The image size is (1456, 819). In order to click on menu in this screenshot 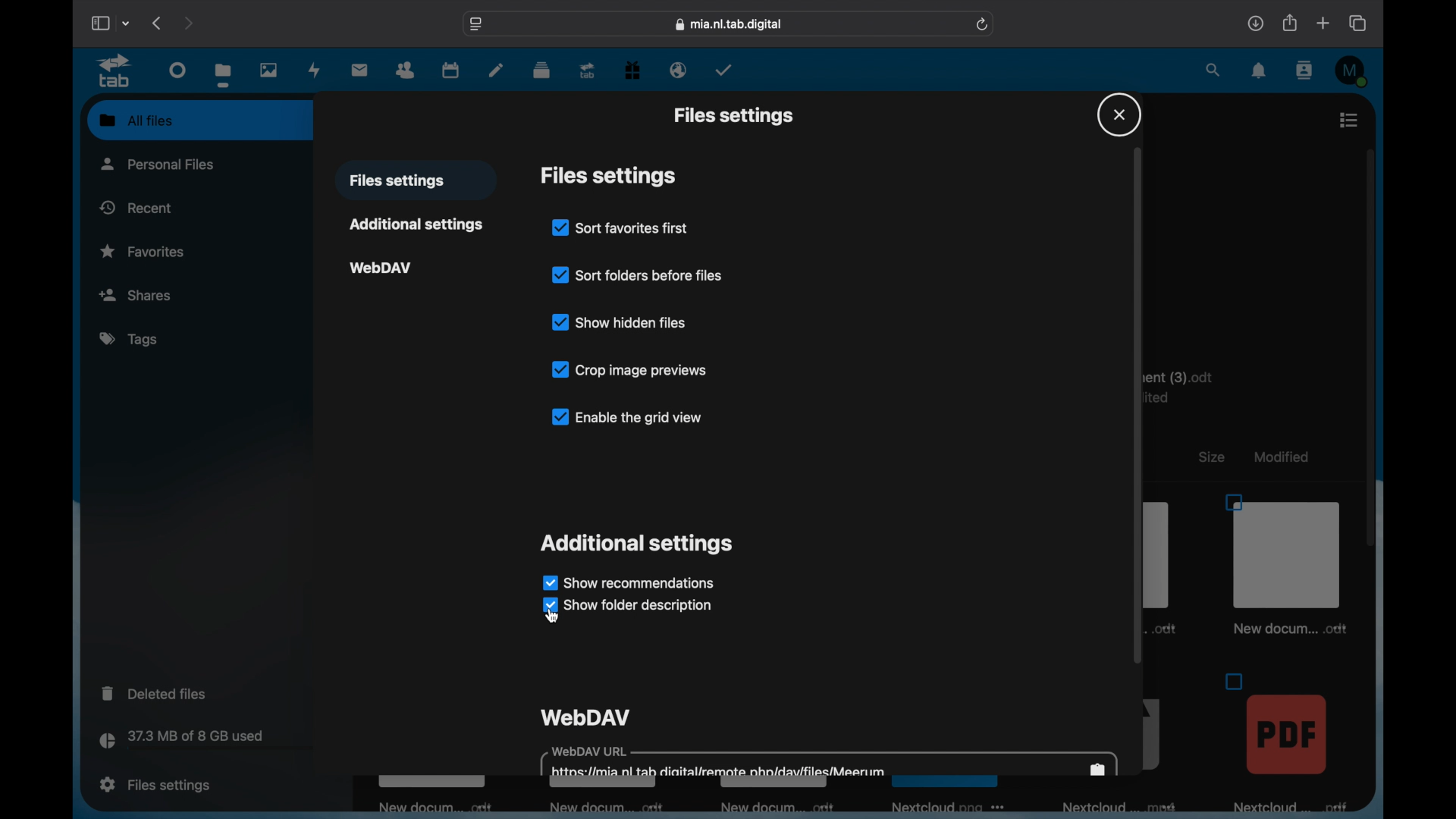, I will do `click(1350, 120)`.